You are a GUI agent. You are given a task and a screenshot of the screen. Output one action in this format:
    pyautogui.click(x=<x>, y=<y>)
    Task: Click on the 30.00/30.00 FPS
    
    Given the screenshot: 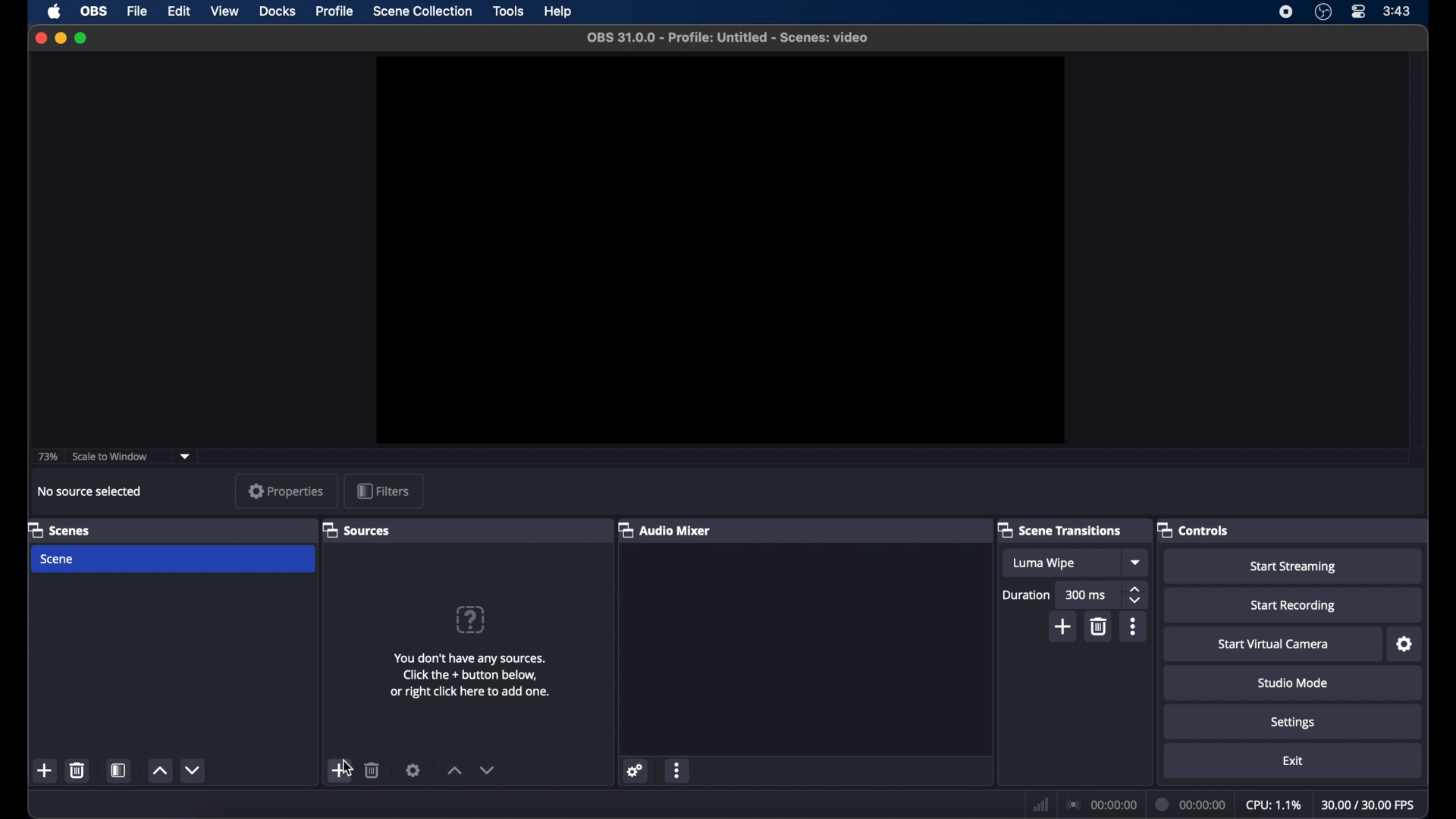 What is the action you would take?
    pyautogui.click(x=1369, y=805)
    